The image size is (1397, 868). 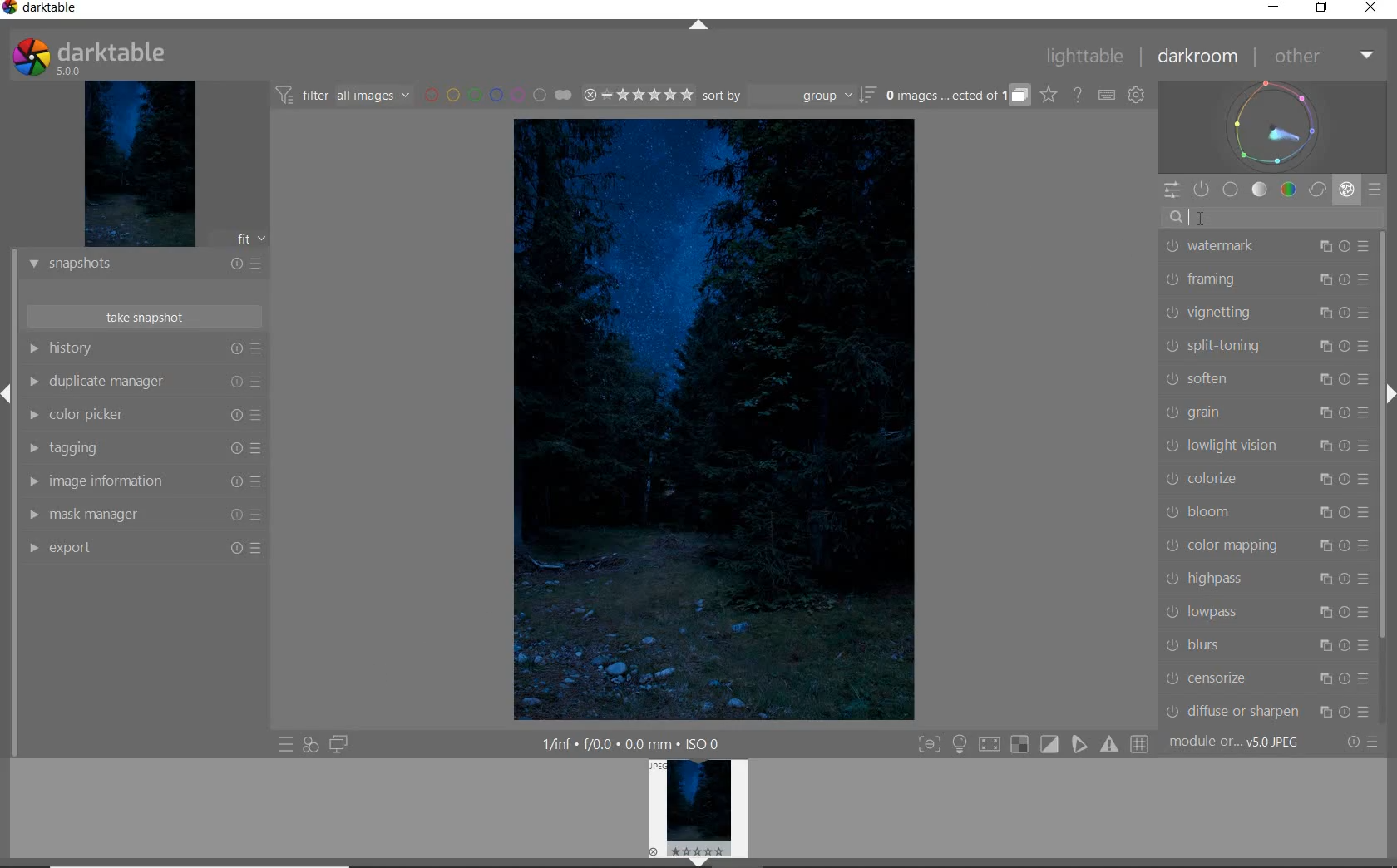 What do you see at coordinates (958, 94) in the screenshot?
I see `EXPAND GROUPED IMAGES` at bounding box center [958, 94].